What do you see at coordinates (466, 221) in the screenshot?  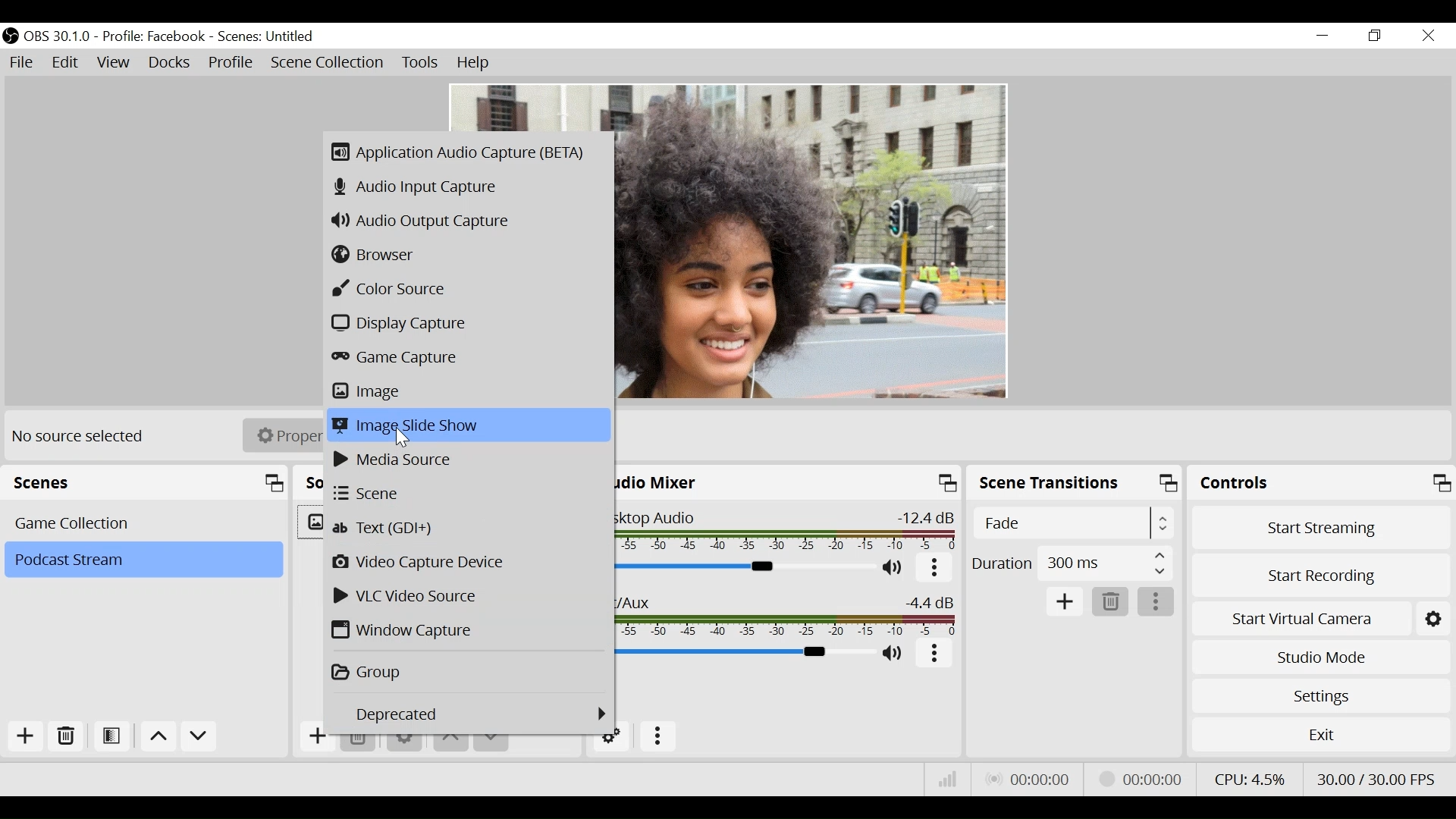 I see `Audio Output Capture` at bounding box center [466, 221].